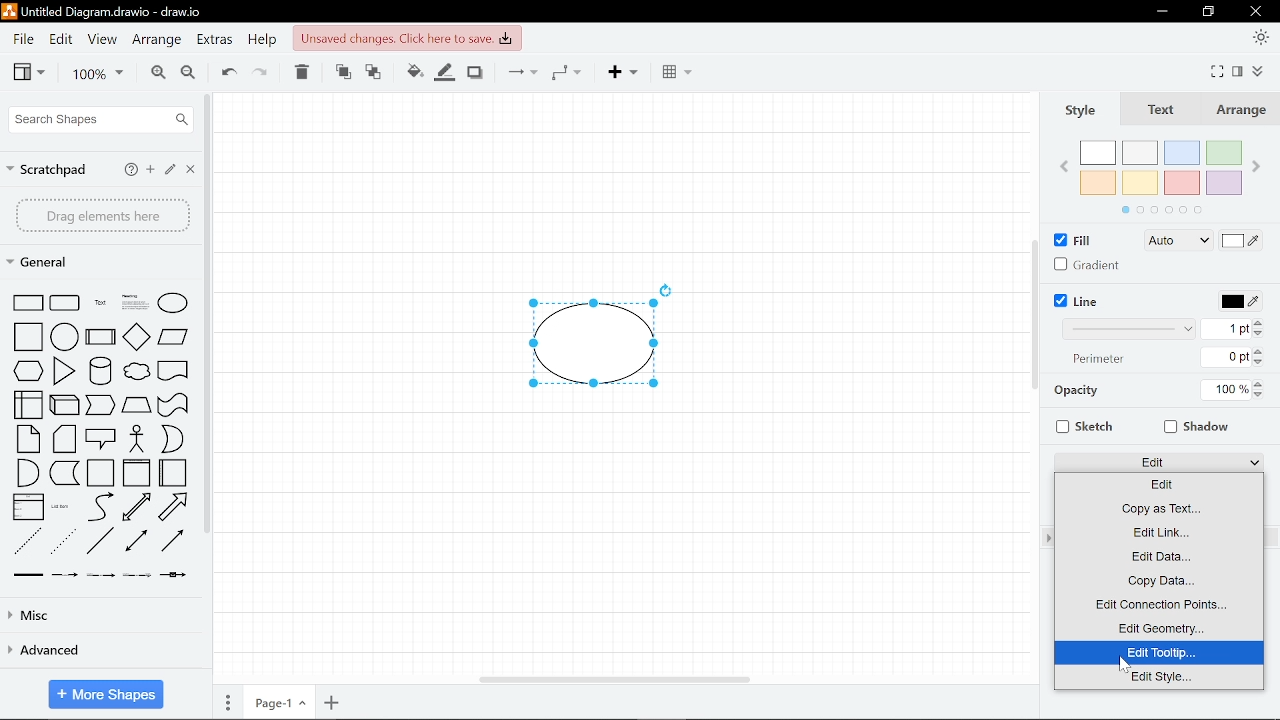 The image size is (1280, 720). What do you see at coordinates (175, 337) in the screenshot?
I see `parallelogram` at bounding box center [175, 337].